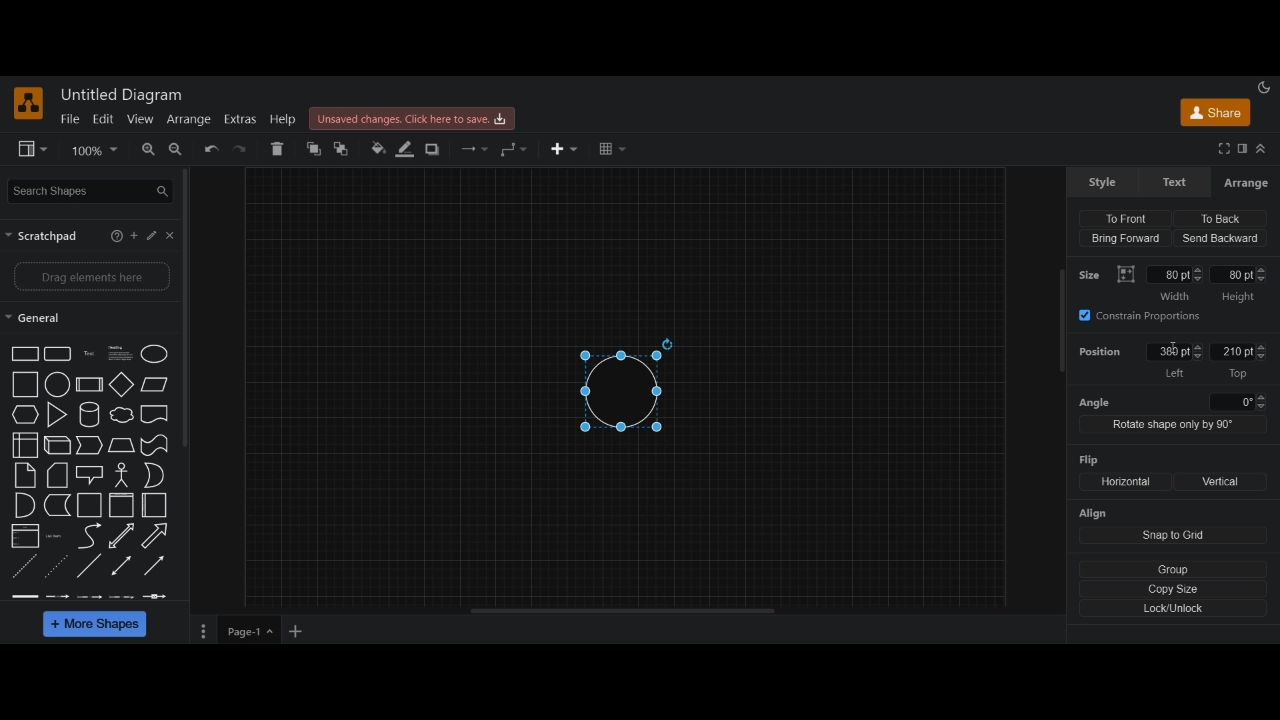 This screenshot has width=1280, height=720. What do you see at coordinates (612, 150) in the screenshot?
I see `table` at bounding box center [612, 150].